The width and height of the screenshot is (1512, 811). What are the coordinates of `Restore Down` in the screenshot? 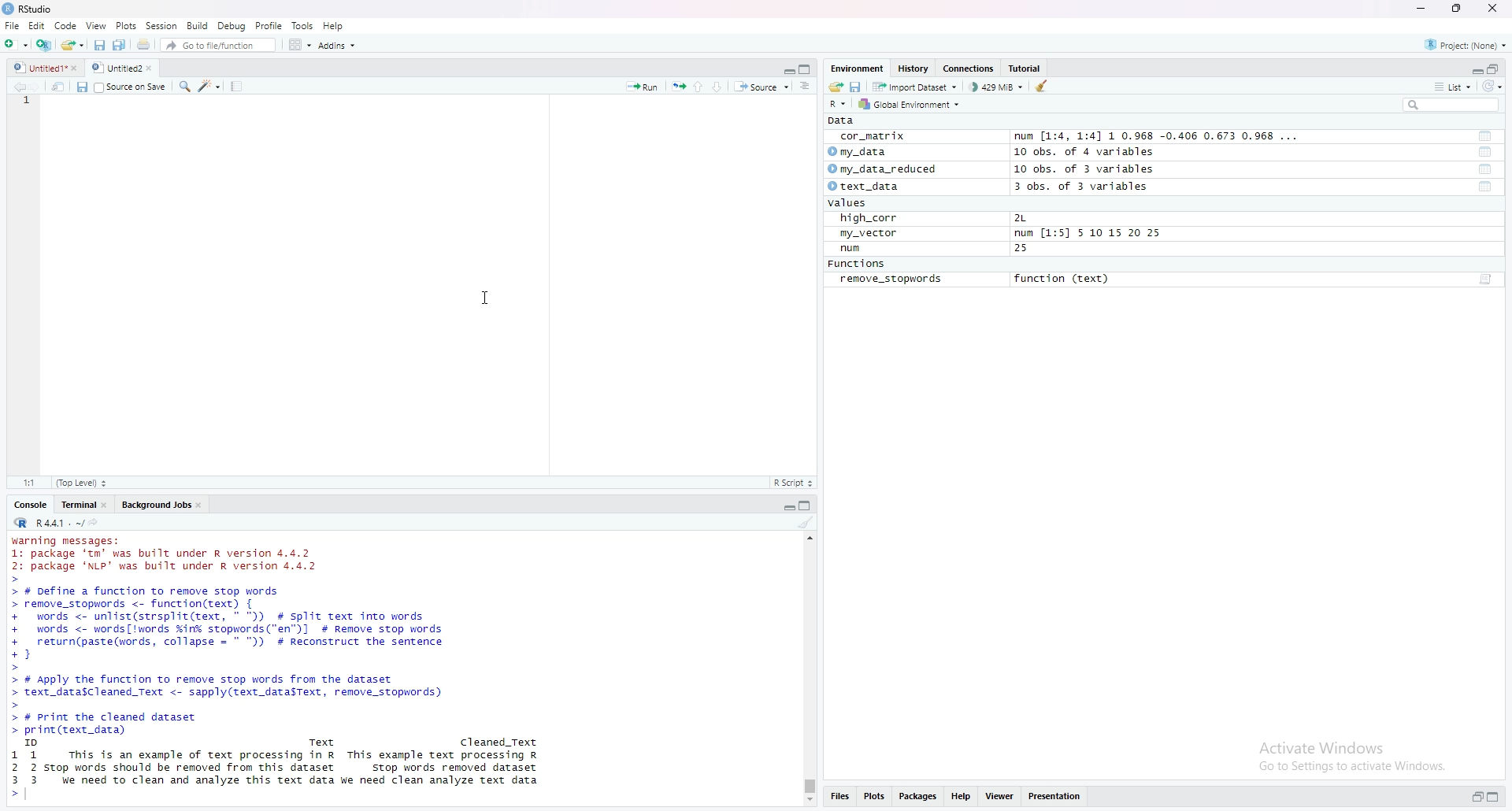 It's located at (1472, 798).